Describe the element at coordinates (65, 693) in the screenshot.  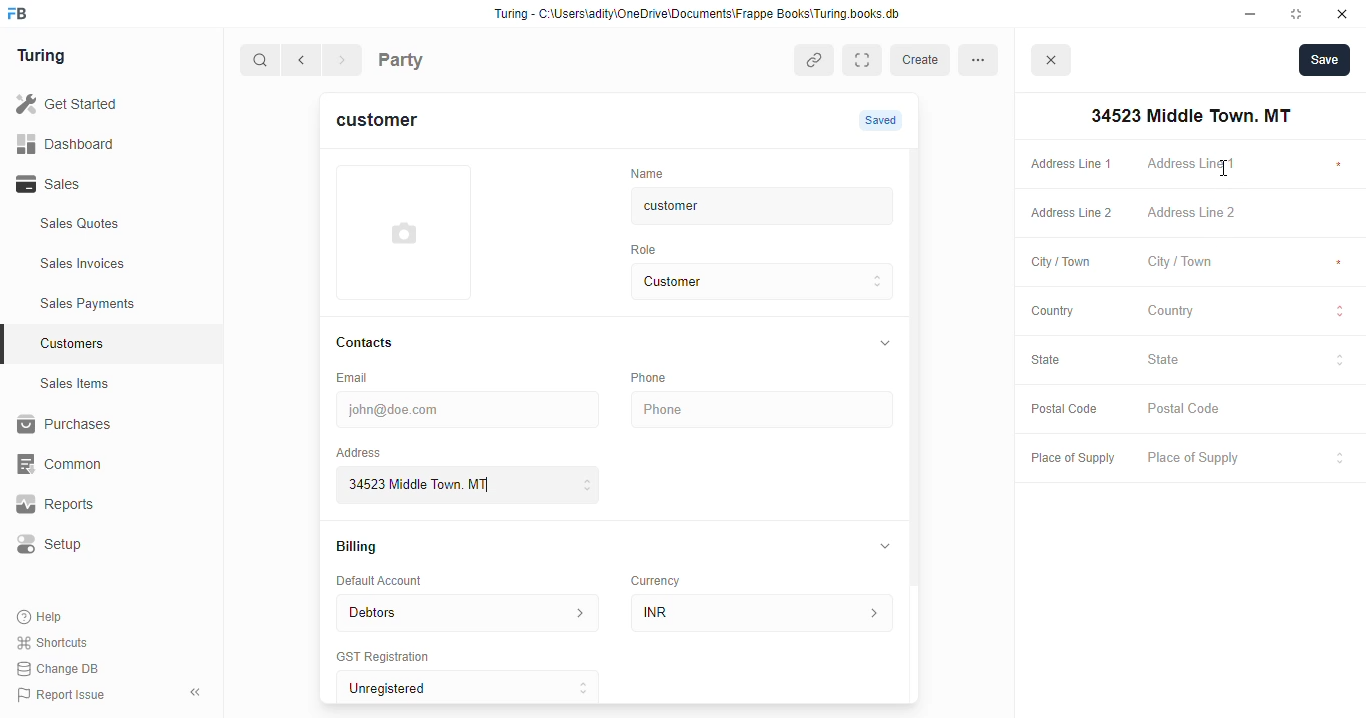
I see `Report Issue` at that location.